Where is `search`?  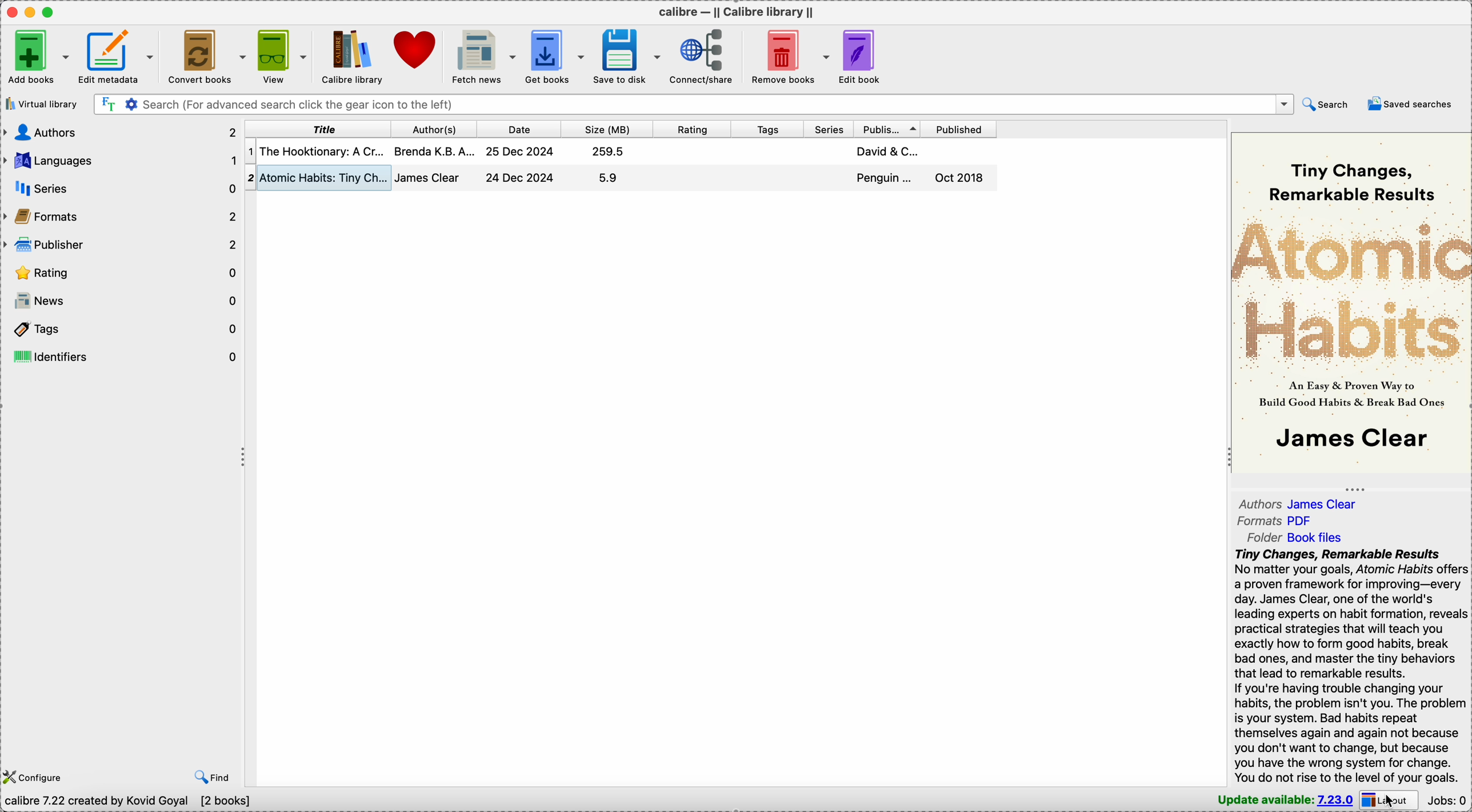
search is located at coordinates (1329, 105).